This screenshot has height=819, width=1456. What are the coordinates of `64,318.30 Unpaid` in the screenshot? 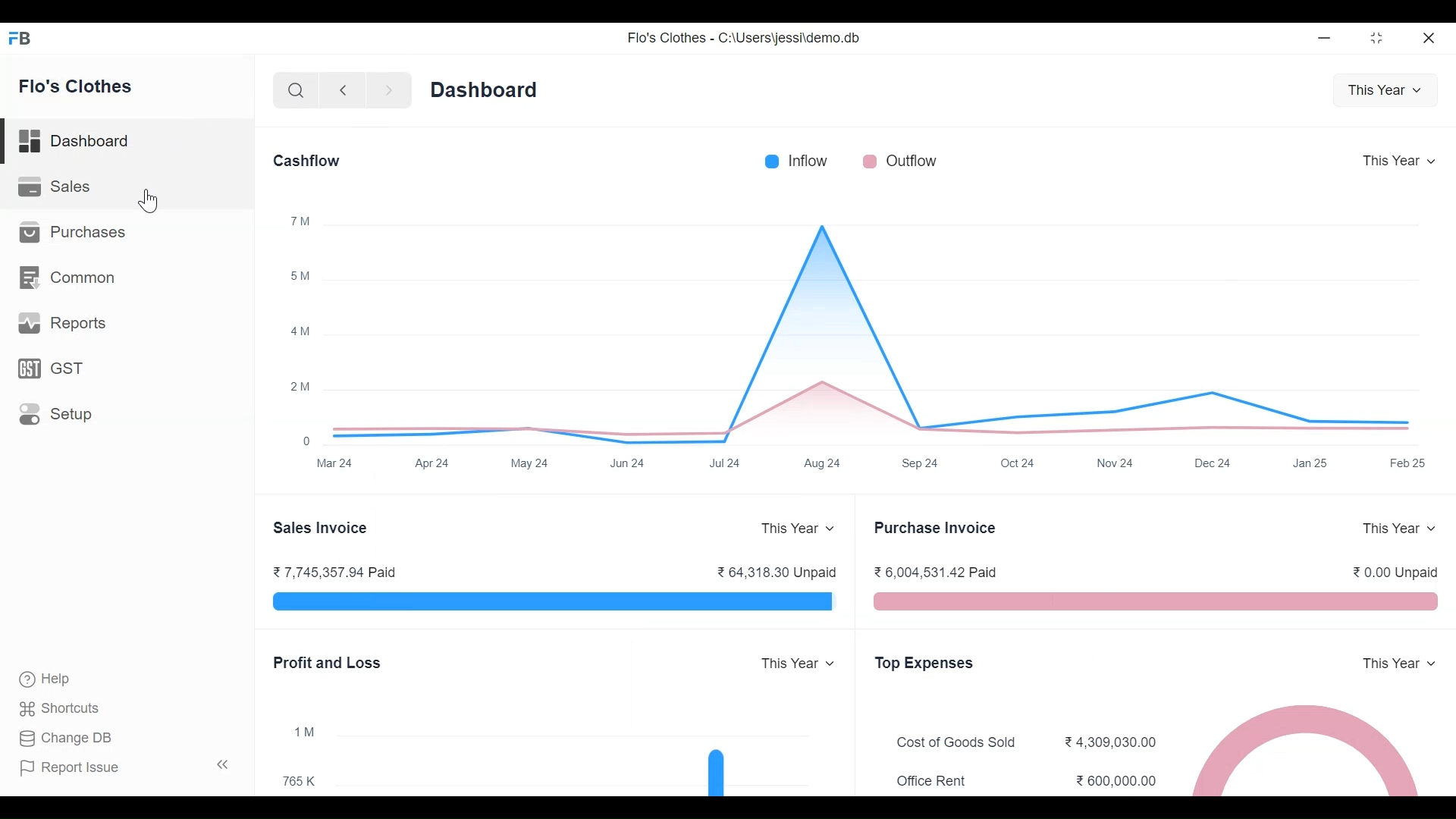 It's located at (778, 573).